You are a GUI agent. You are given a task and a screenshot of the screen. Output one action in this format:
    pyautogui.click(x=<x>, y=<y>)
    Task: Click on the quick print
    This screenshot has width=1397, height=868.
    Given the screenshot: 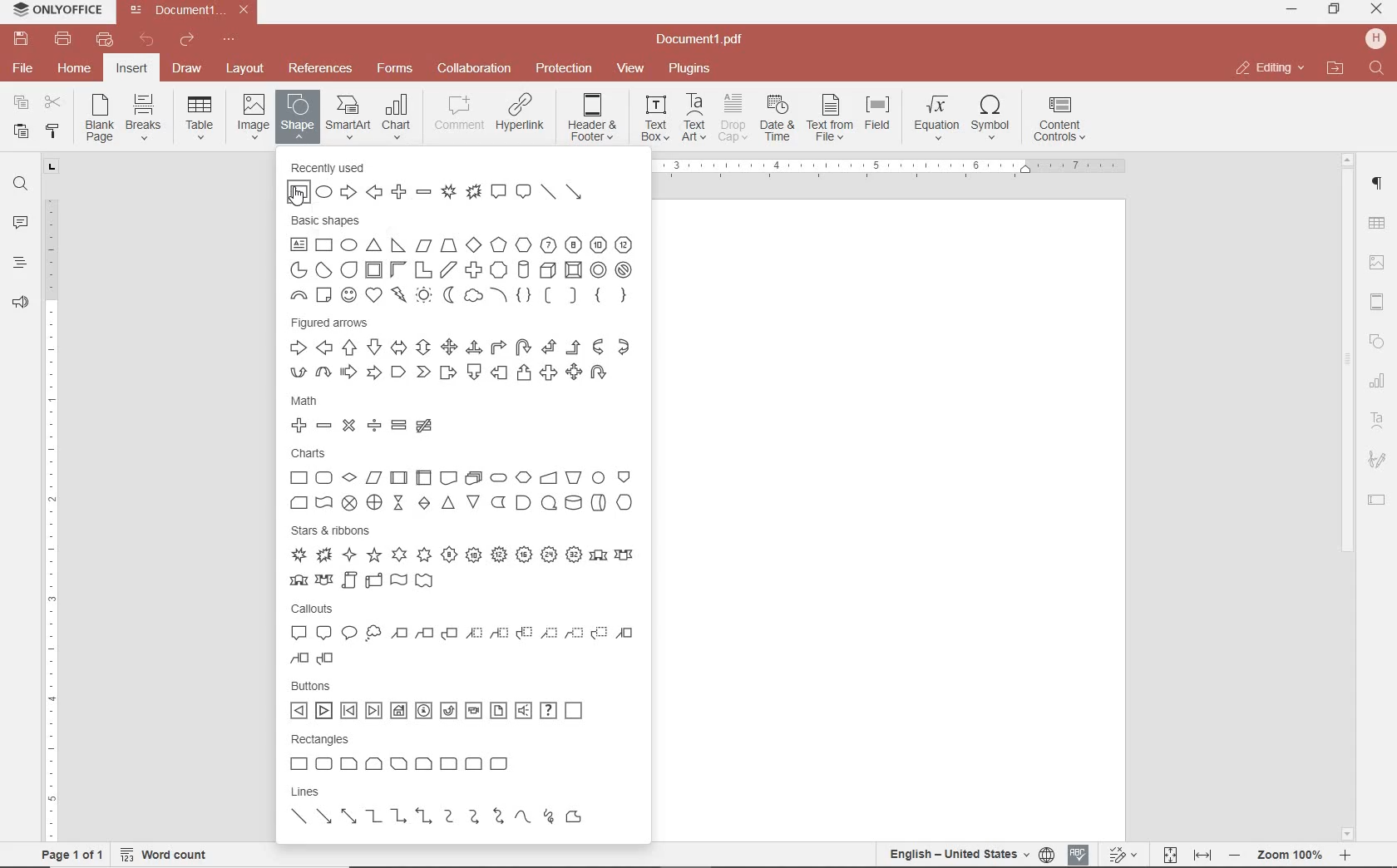 What is the action you would take?
    pyautogui.click(x=103, y=39)
    